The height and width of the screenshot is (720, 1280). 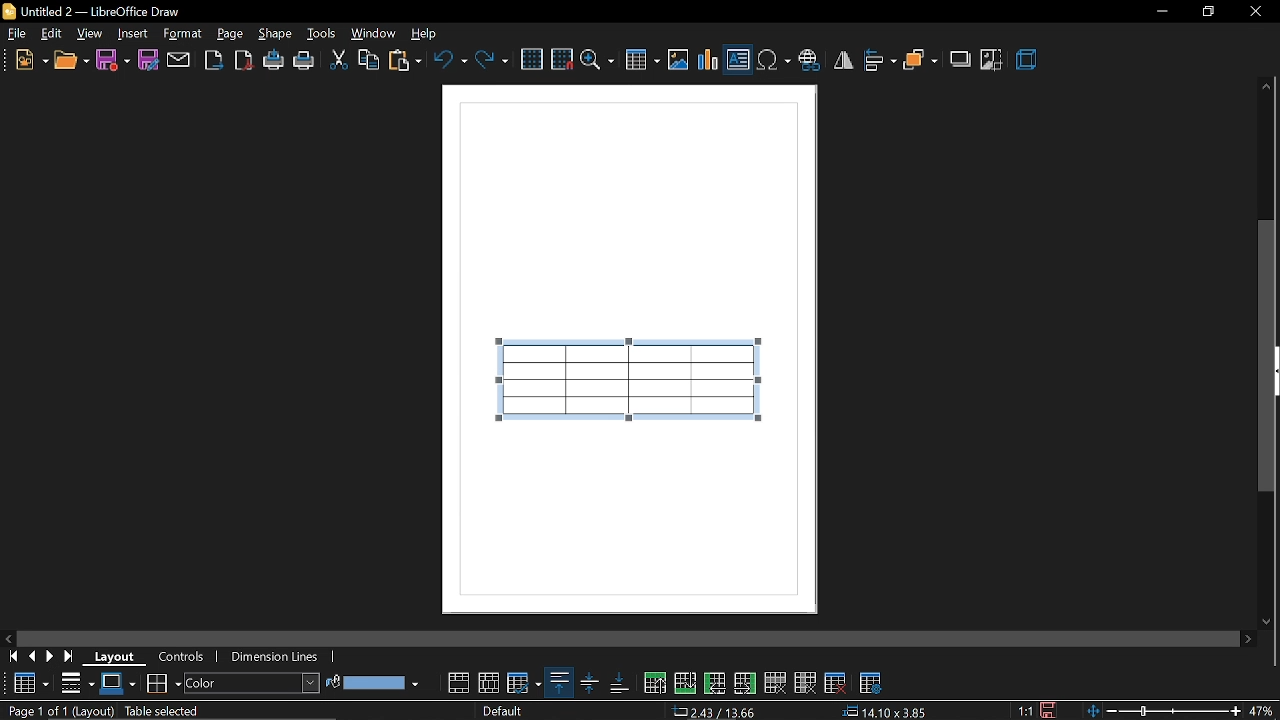 What do you see at coordinates (170, 710) in the screenshot?
I see `table selected` at bounding box center [170, 710].